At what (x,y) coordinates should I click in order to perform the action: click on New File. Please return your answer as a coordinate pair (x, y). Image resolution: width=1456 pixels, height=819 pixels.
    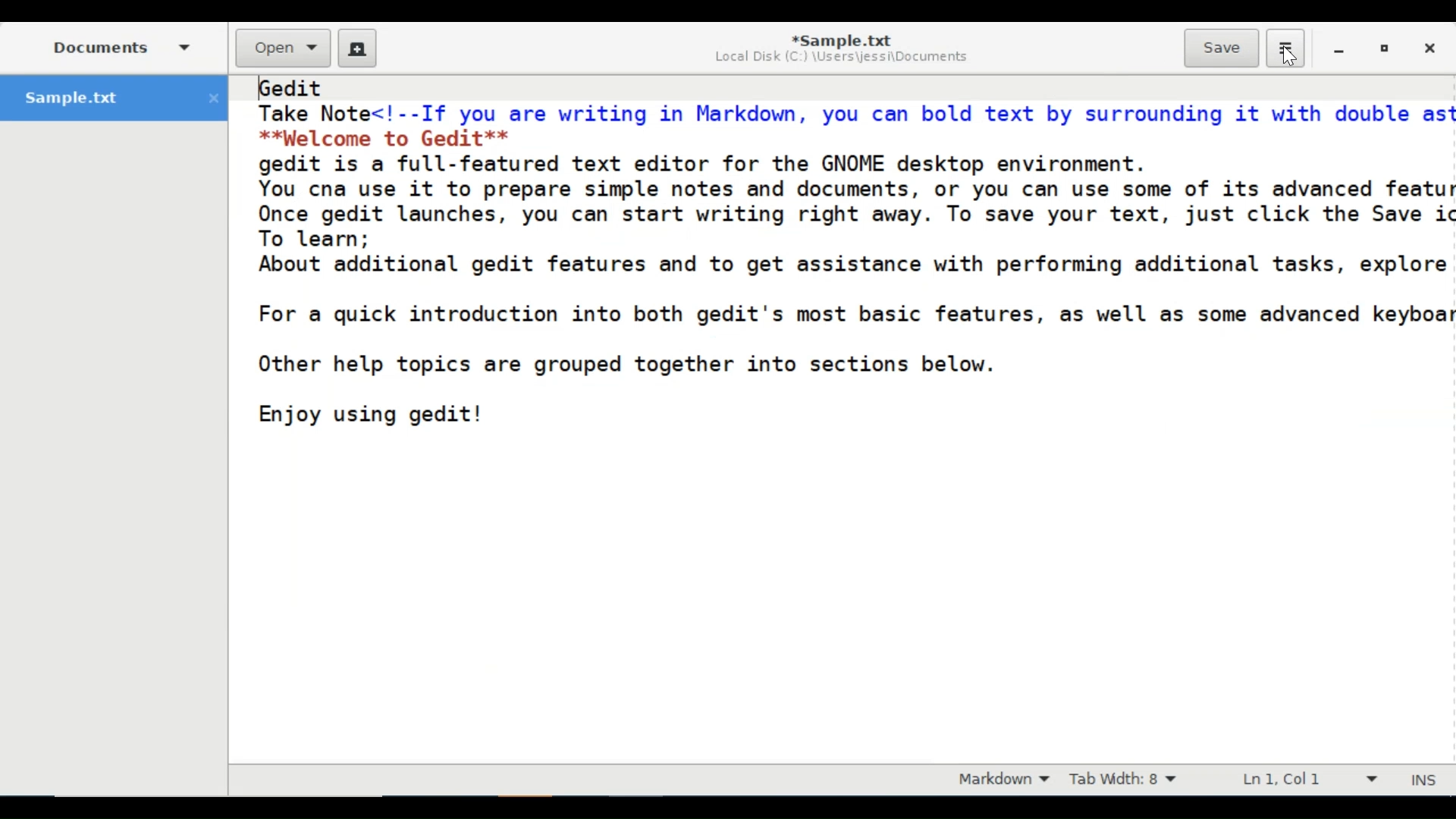
    Looking at the image, I should click on (354, 49).